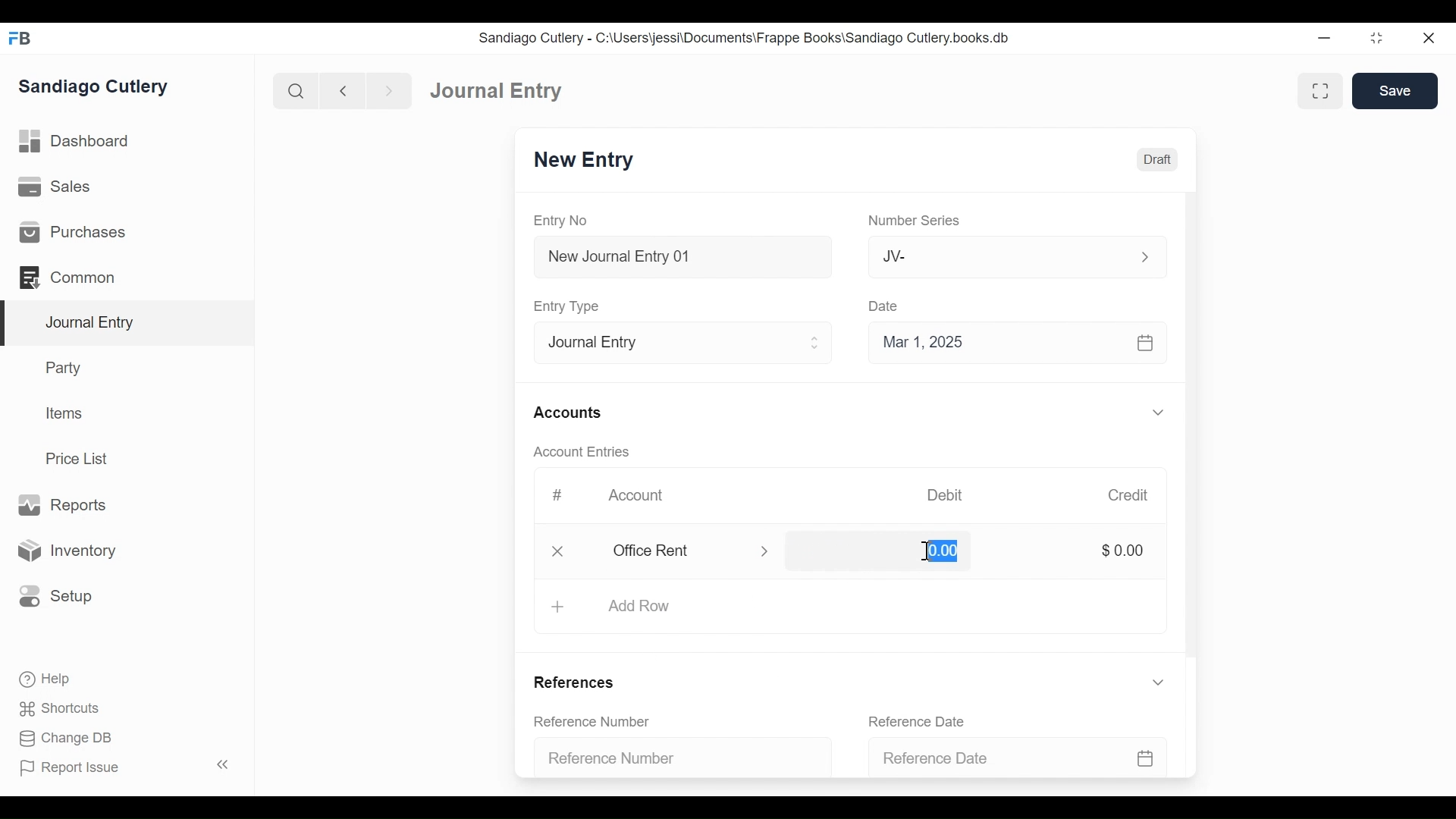 This screenshot has width=1456, height=819. I want to click on Credit, so click(1128, 495).